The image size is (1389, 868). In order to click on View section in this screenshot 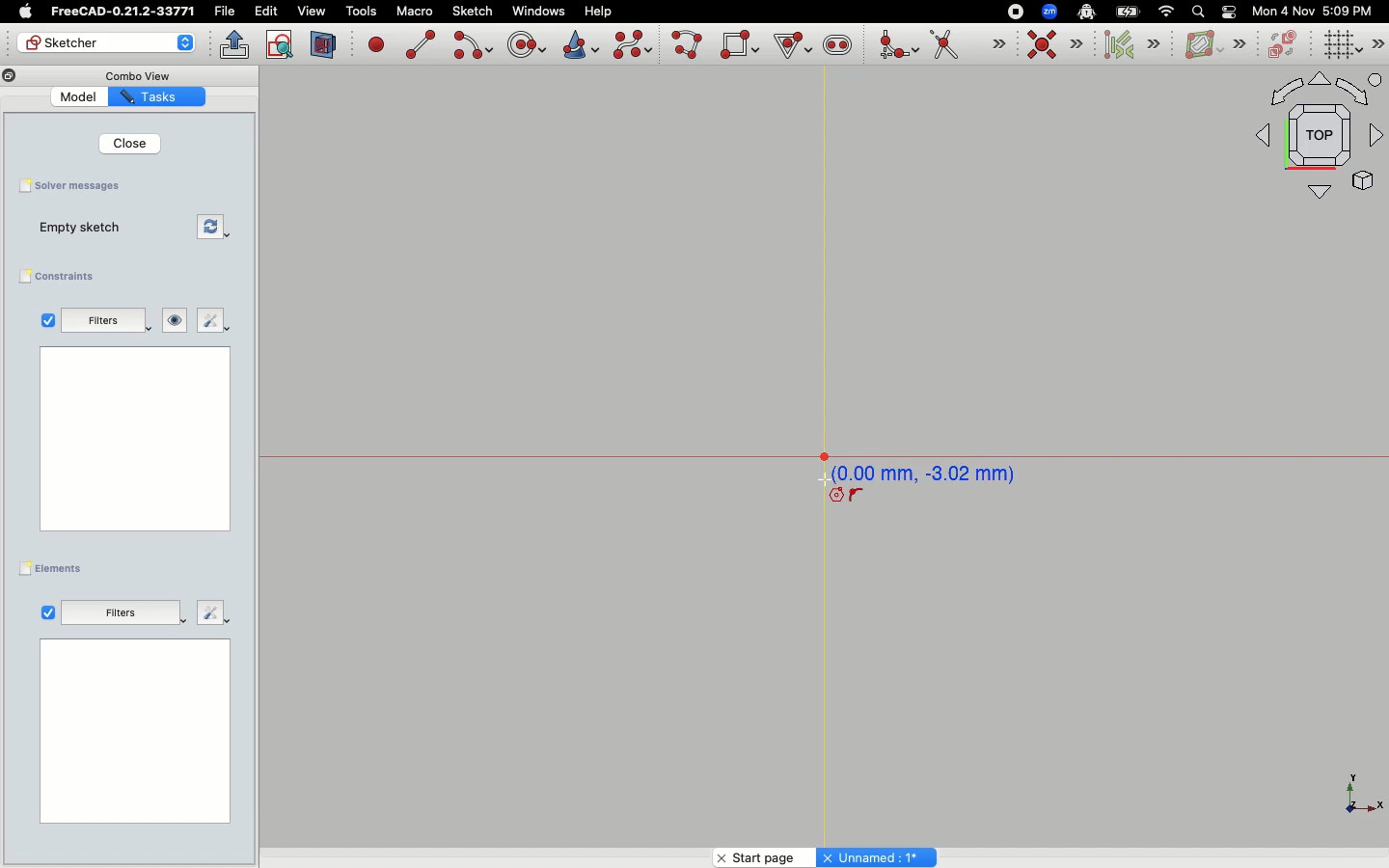, I will do `click(324, 44)`.